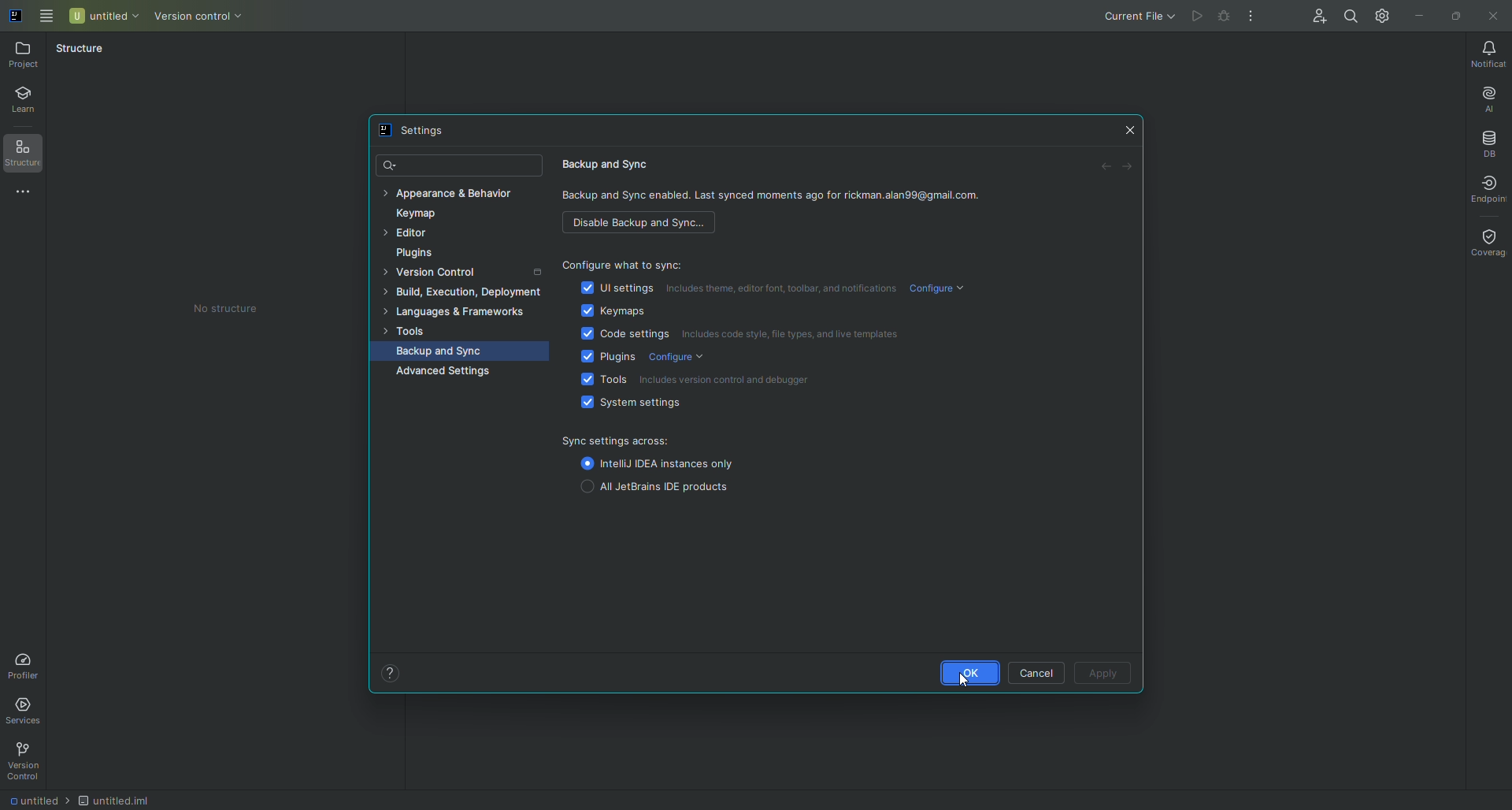  I want to click on Structure, so click(80, 48).